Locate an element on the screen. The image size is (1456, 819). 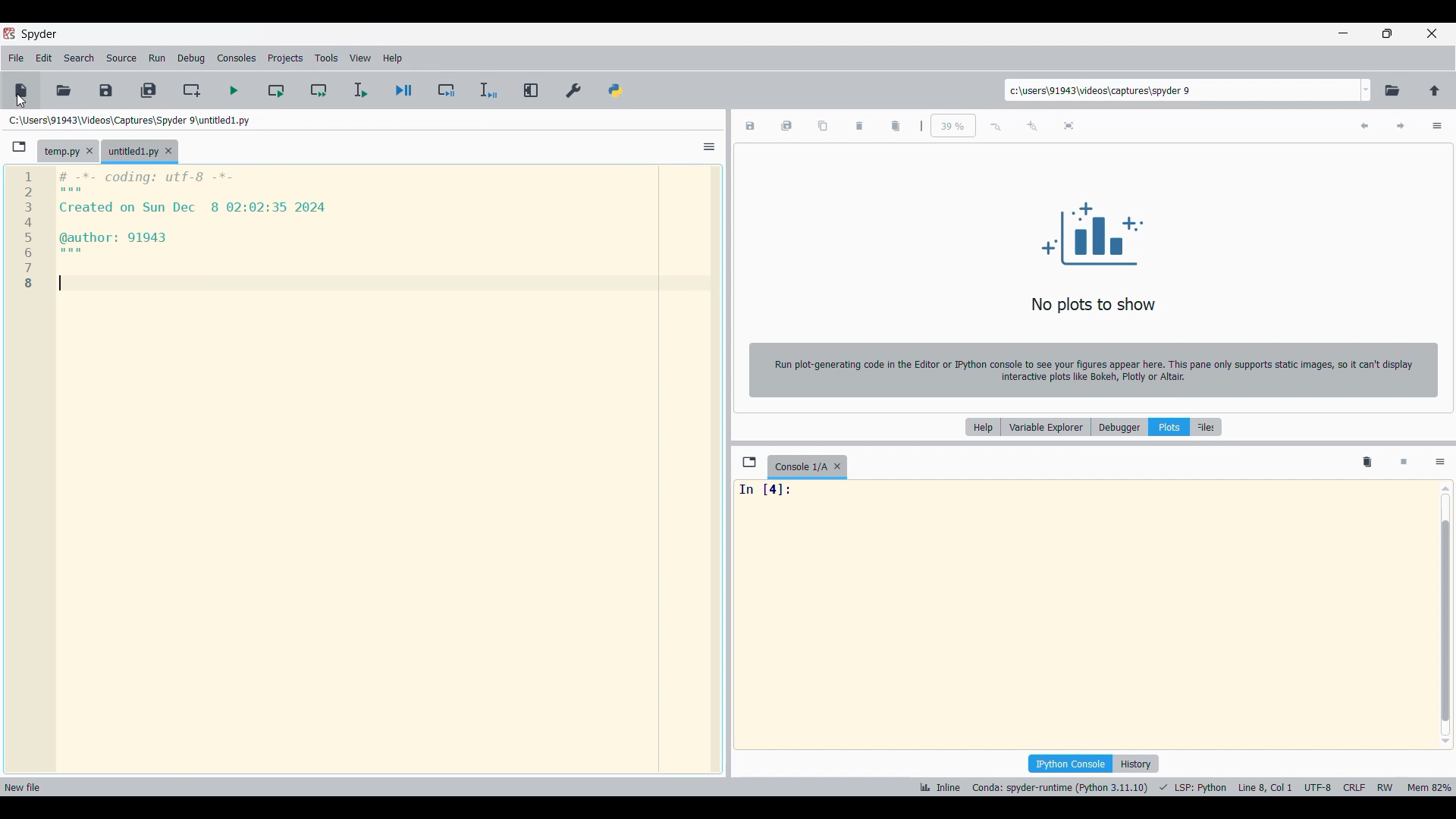
Debug cell is located at coordinates (448, 90).